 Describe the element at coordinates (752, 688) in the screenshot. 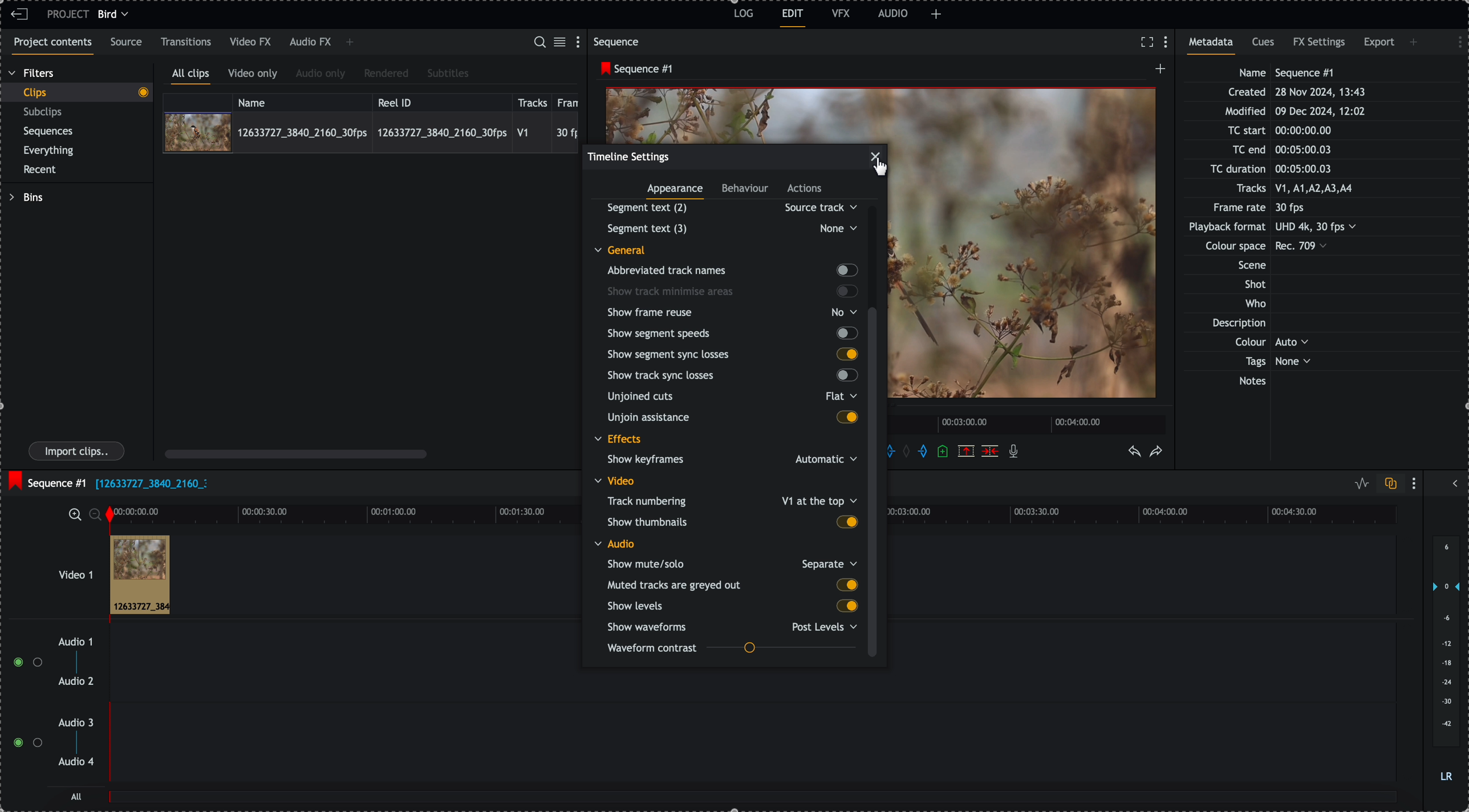

I see `track audio` at that location.